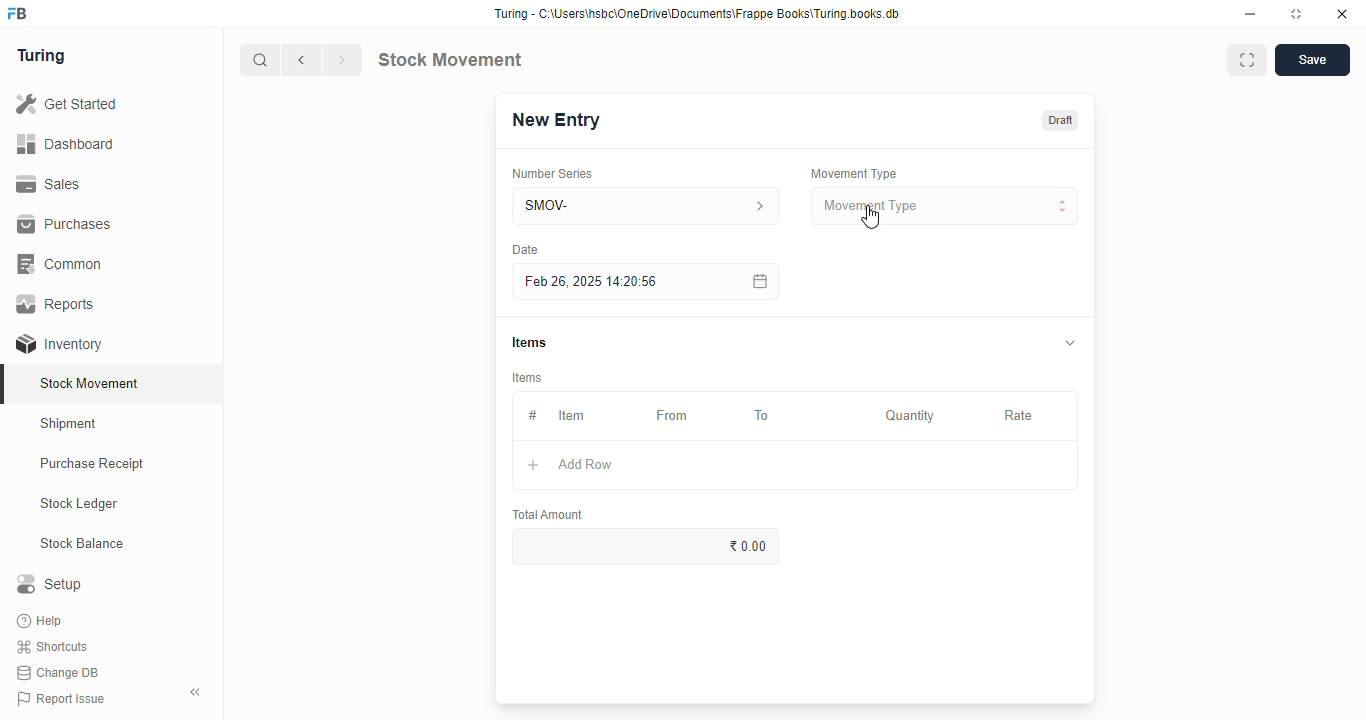 The height and width of the screenshot is (720, 1366). I want to click on turing, so click(42, 56).